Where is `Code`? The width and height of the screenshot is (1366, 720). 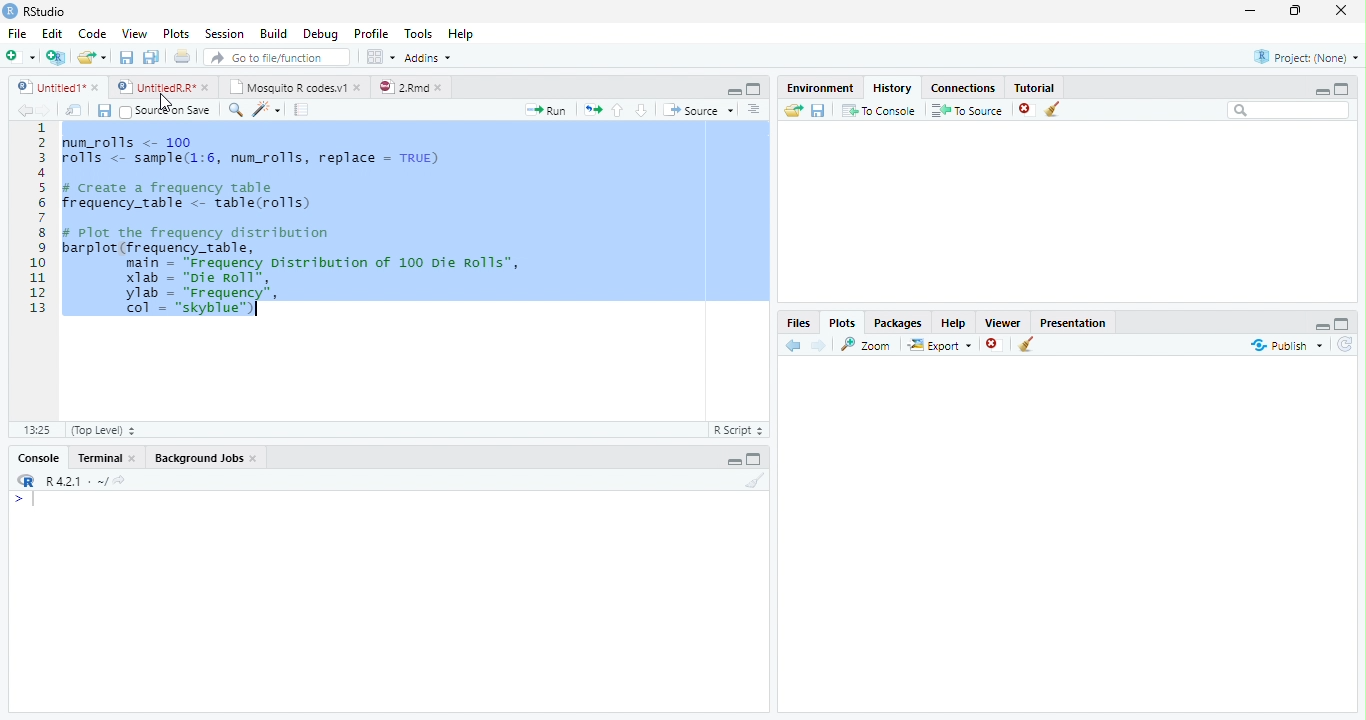 Code is located at coordinates (94, 31).